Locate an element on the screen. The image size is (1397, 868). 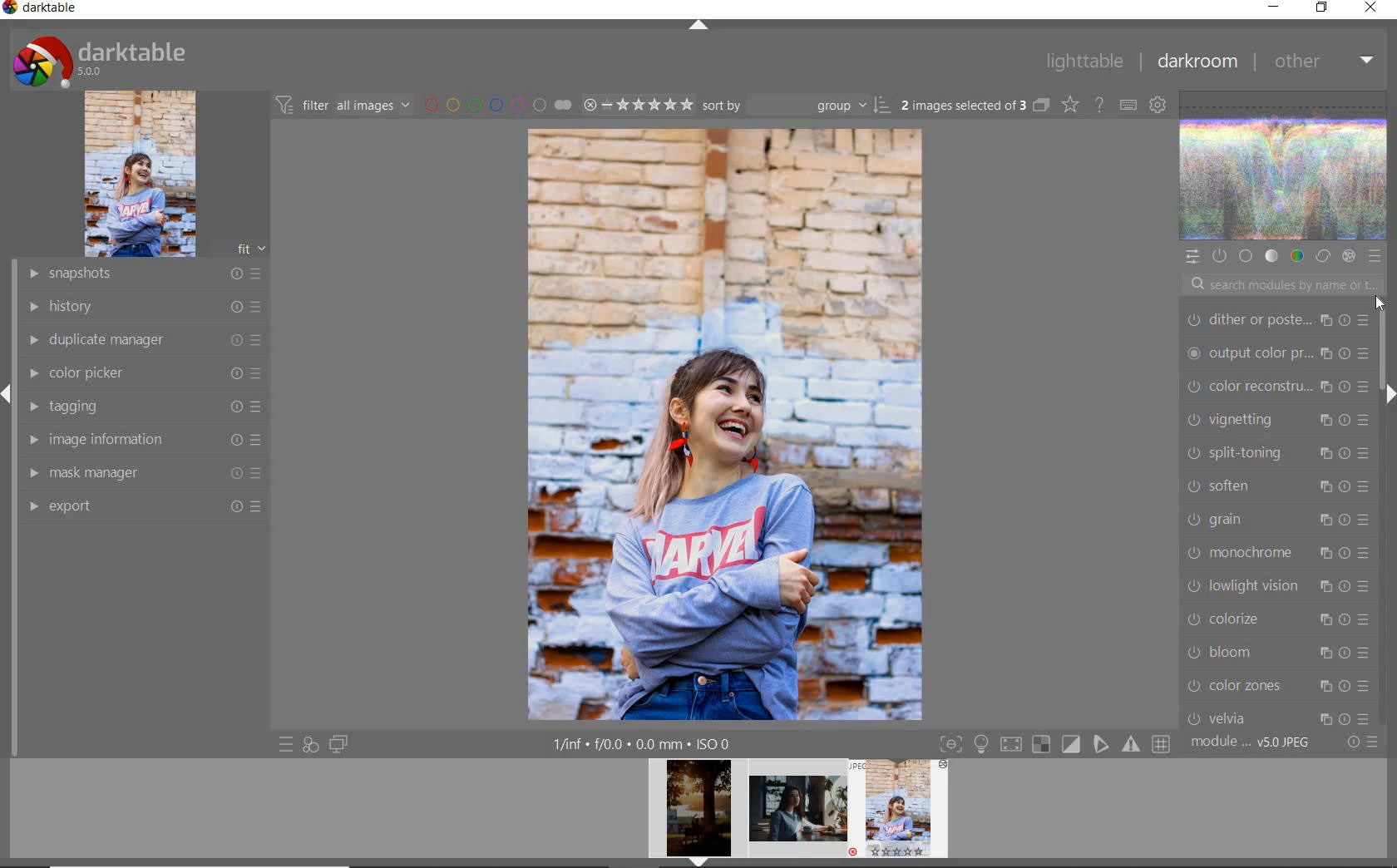
SHOW GLOBAL PREFERENCES is located at coordinates (1156, 104).